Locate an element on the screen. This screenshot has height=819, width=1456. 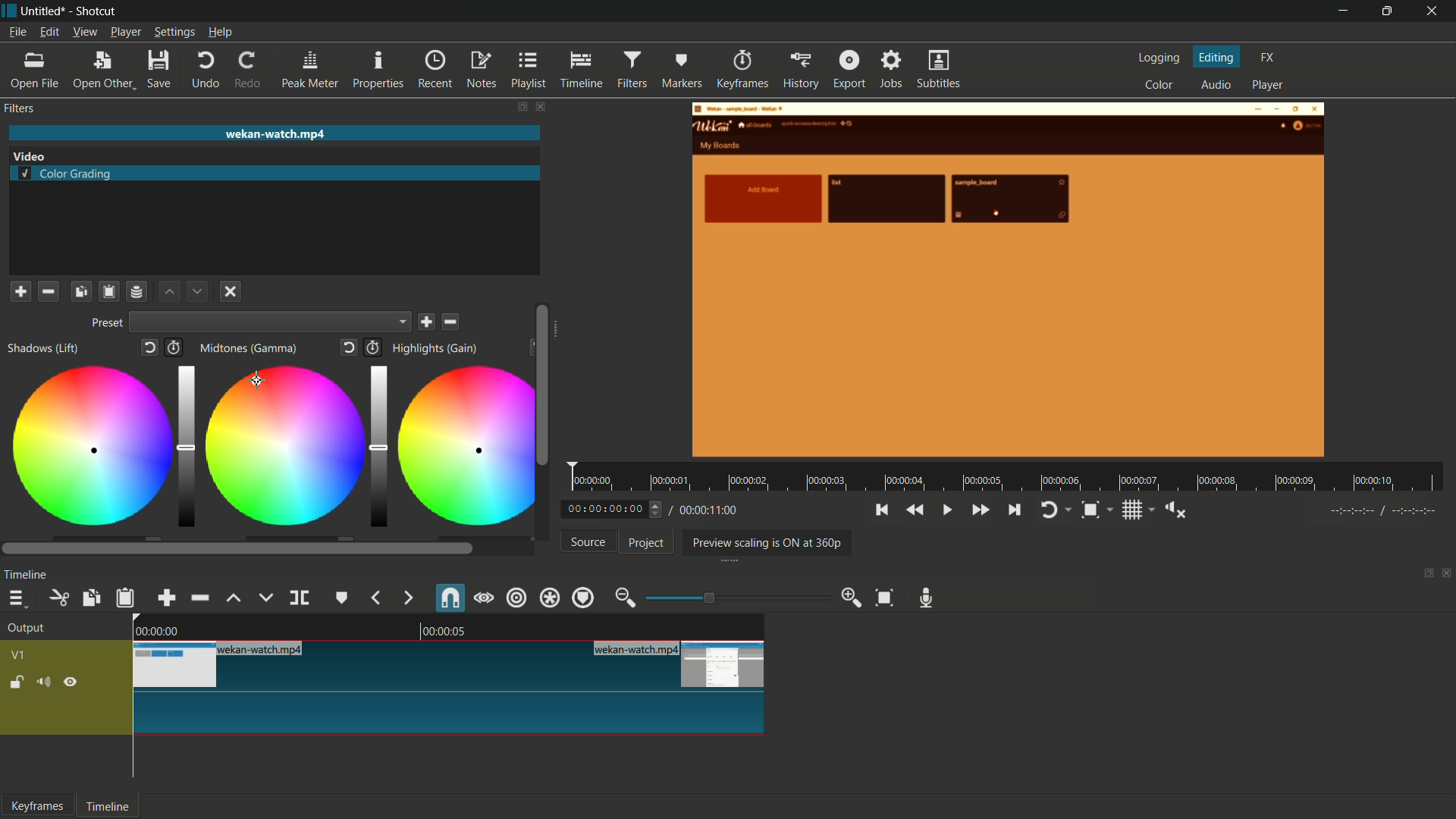
toggle grid is located at coordinates (1139, 510).